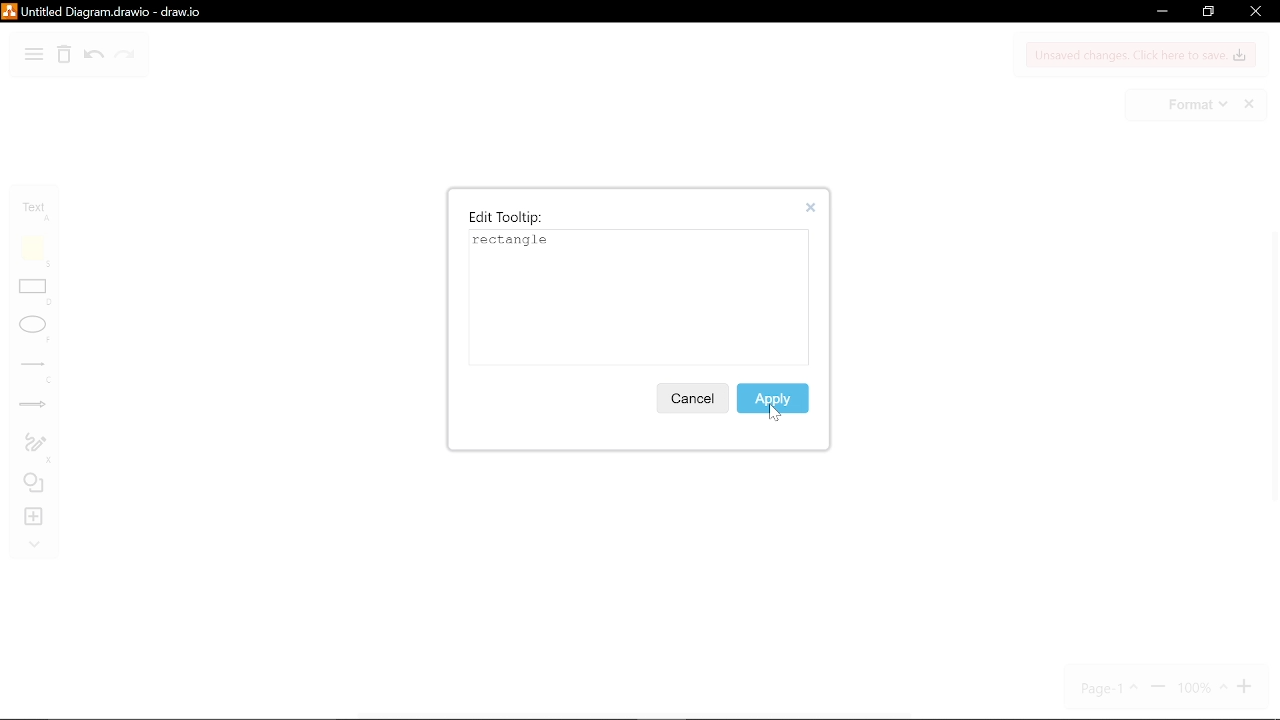  What do you see at coordinates (36, 372) in the screenshot?
I see `lines` at bounding box center [36, 372].